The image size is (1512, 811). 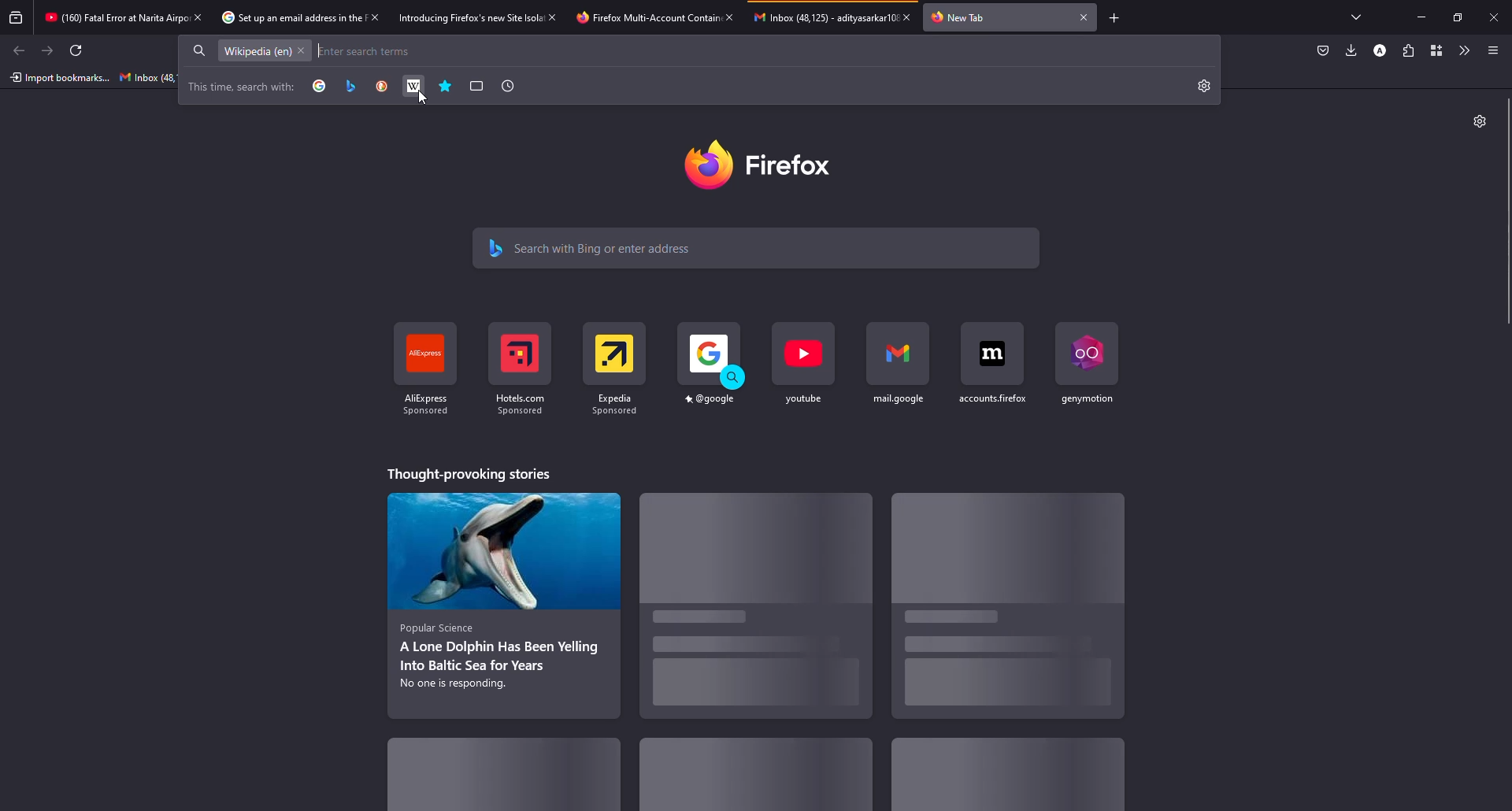 I want to click on wikipedia, so click(x=256, y=50).